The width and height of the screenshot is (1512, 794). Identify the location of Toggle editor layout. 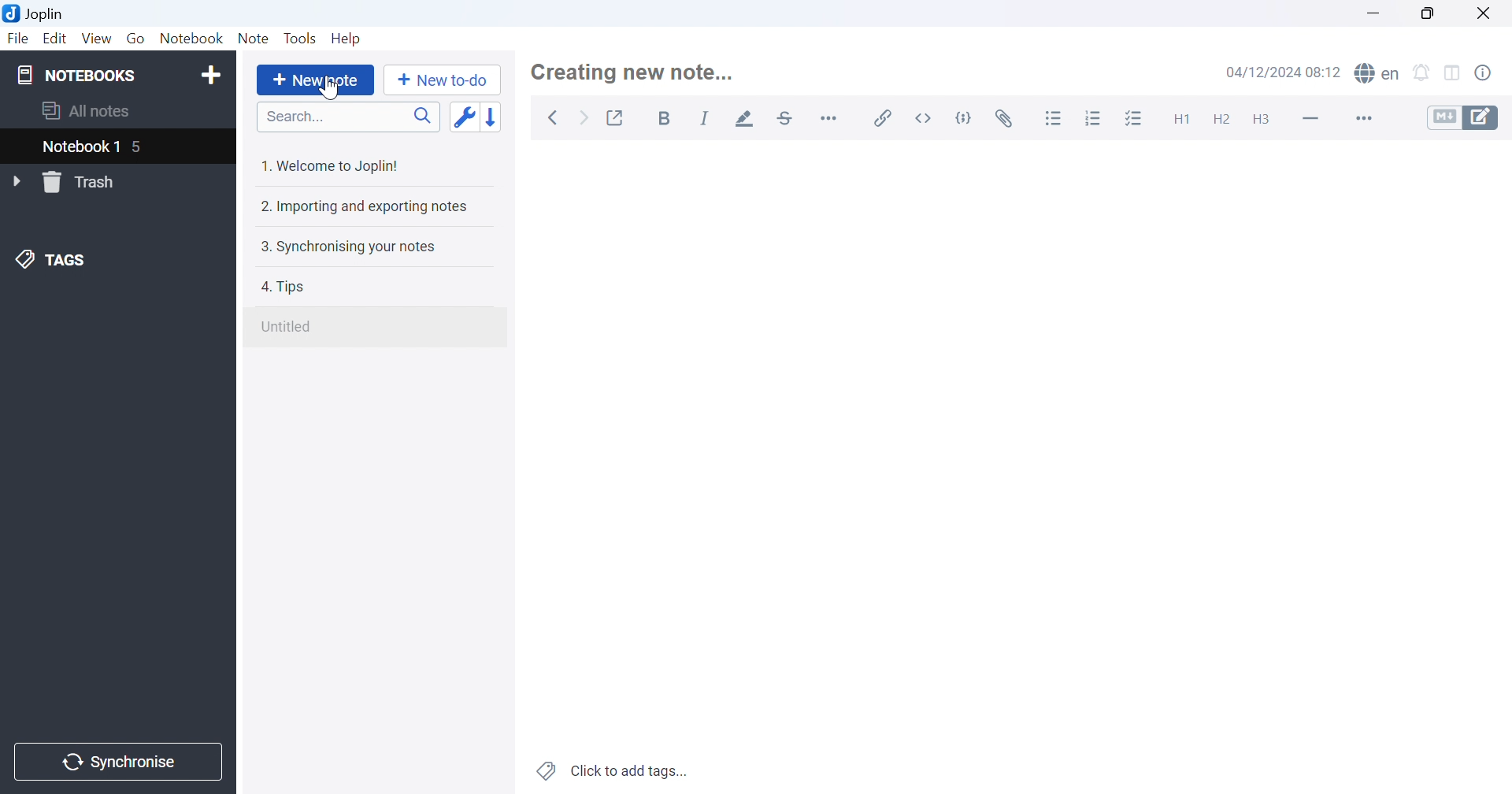
(1457, 72).